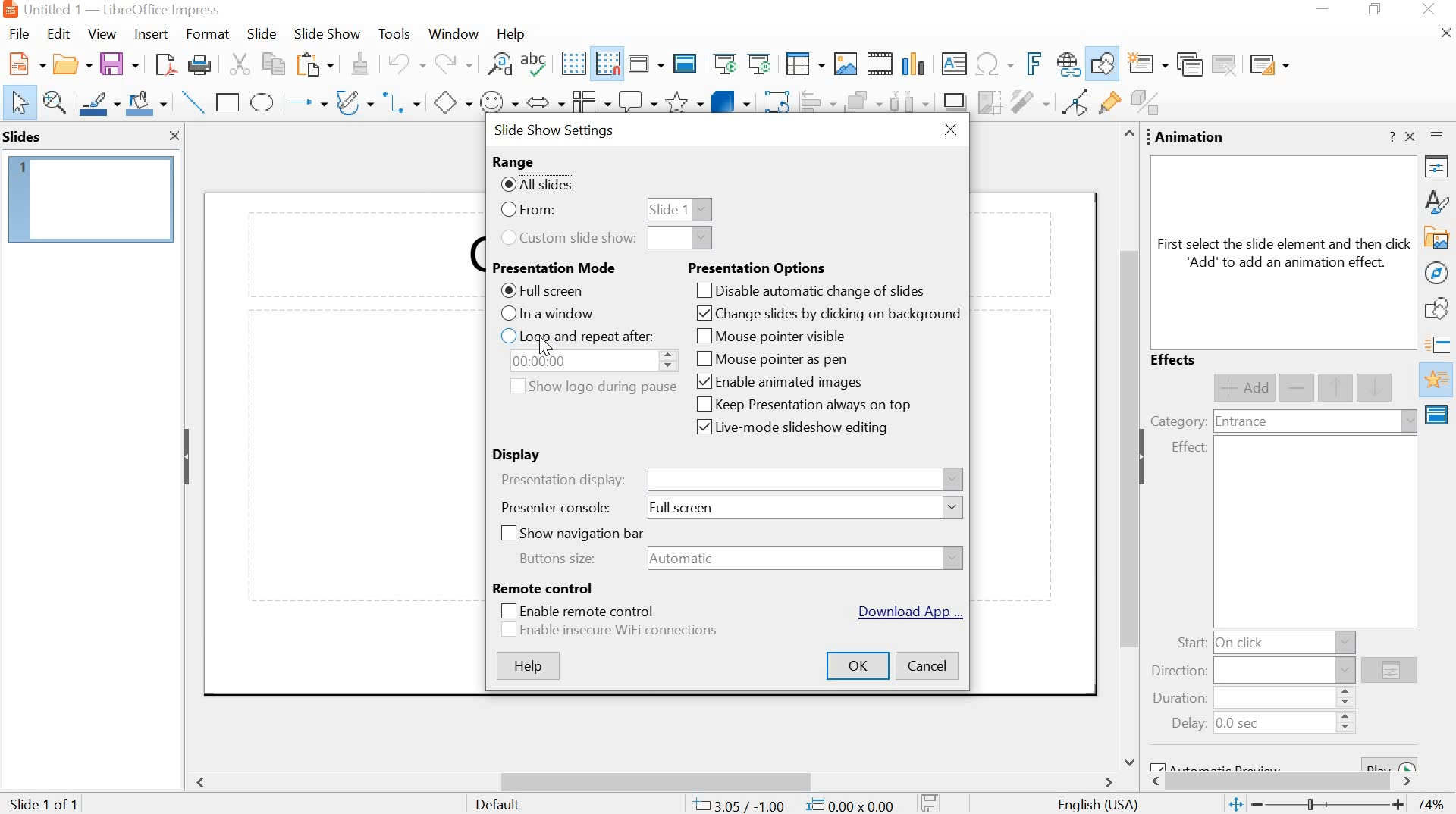 The image size is (1456, 814). I want to click on toggle extrusion, so click(1149, 104).